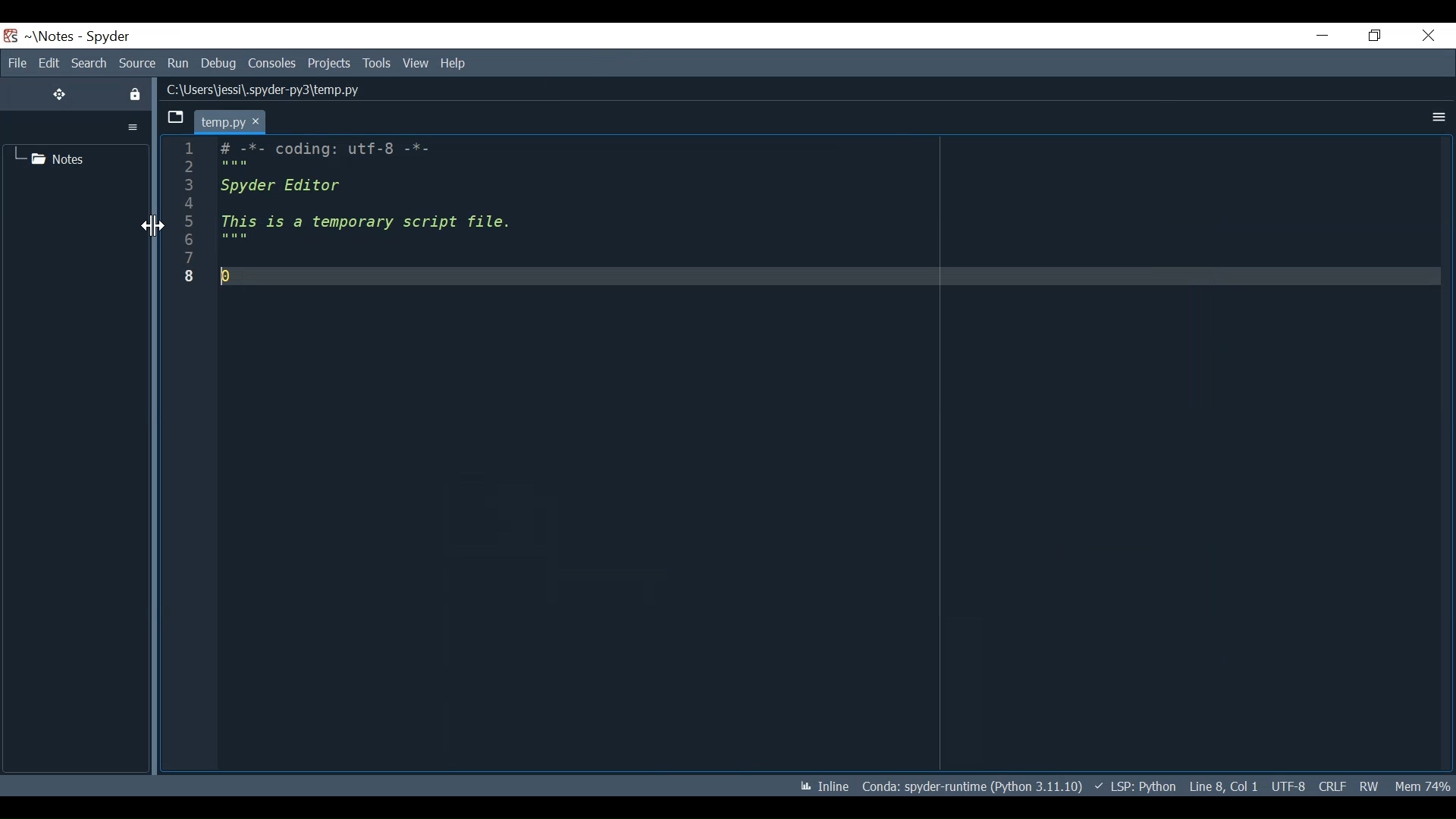 The height and width of the screenshot is (819, 1456). I want to click on More Options, so click(133, 127).